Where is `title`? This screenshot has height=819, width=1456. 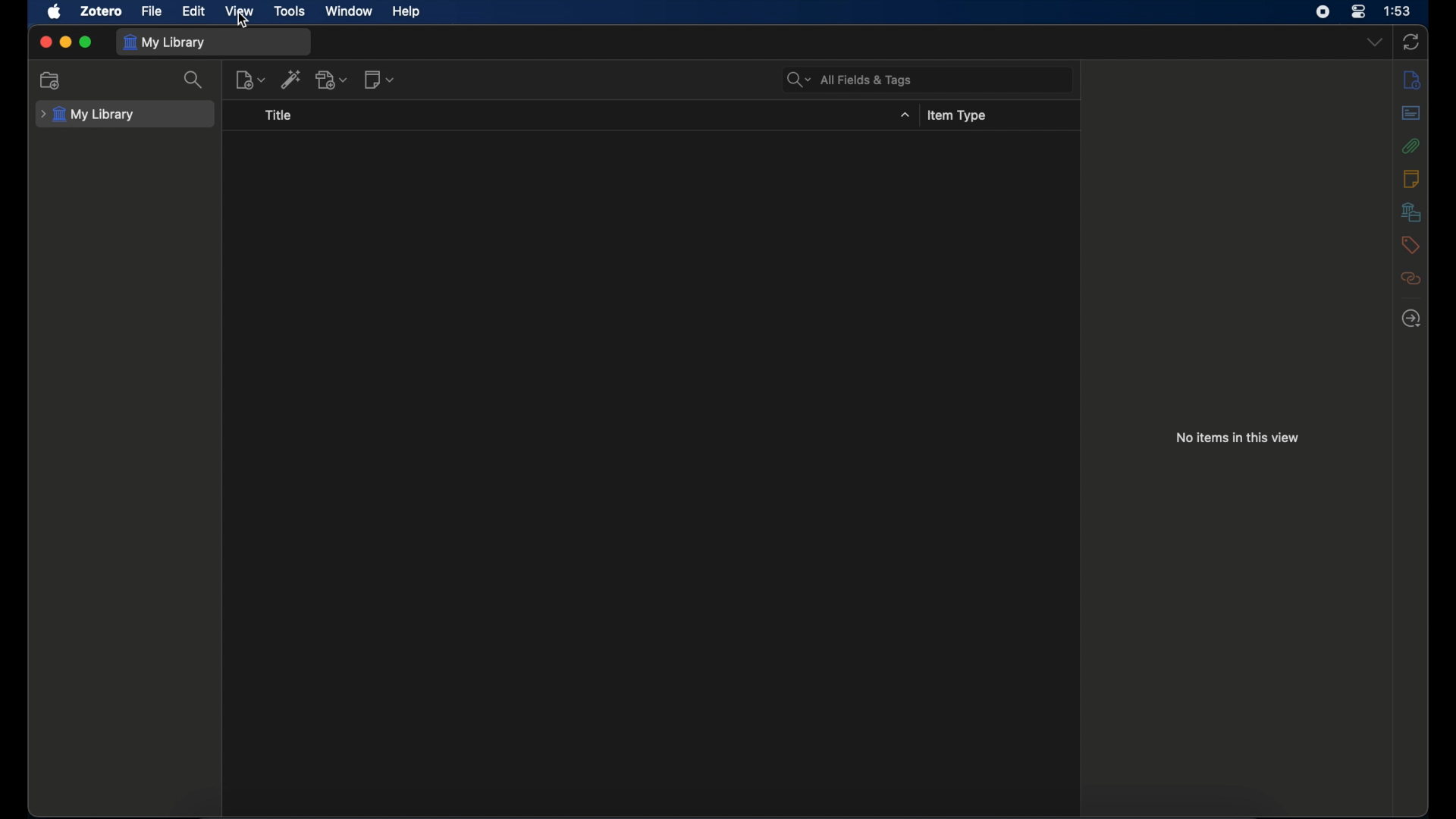 title is located at coordinates (281, 115).